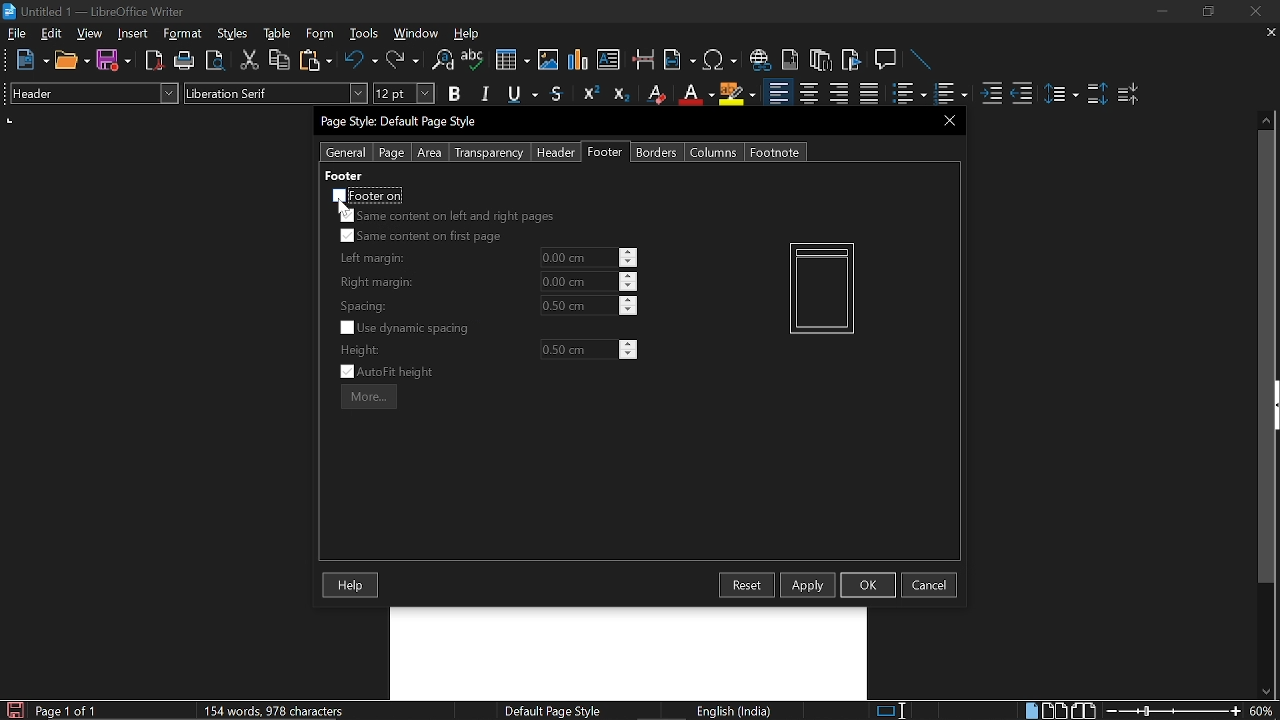 The height and width of the screenshot is (720, 1280). I want to click on Open, so click(72, 61).